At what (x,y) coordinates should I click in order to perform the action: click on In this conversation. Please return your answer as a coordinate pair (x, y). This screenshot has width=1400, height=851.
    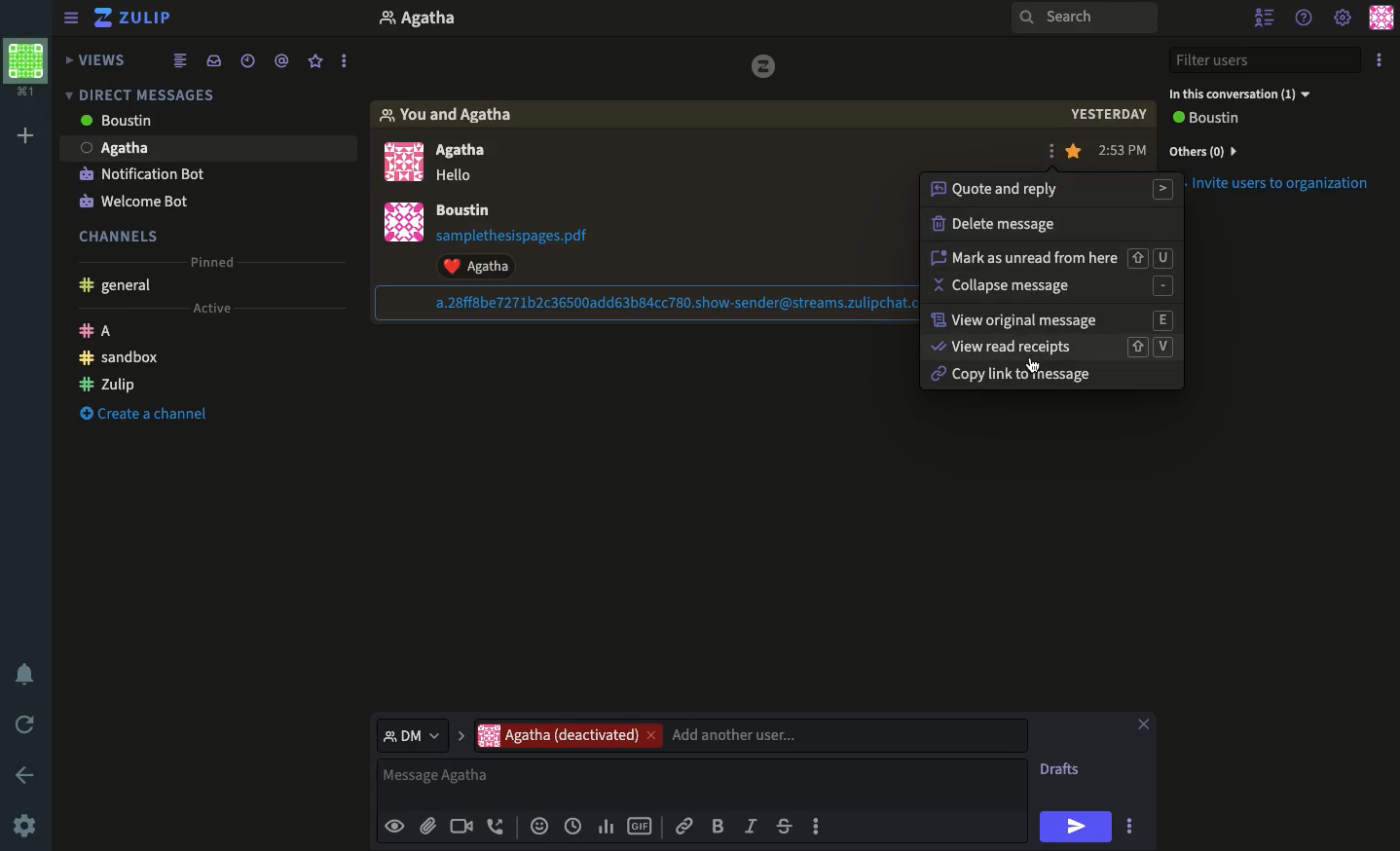
    Looking at the image, I should click on (1239, 94).